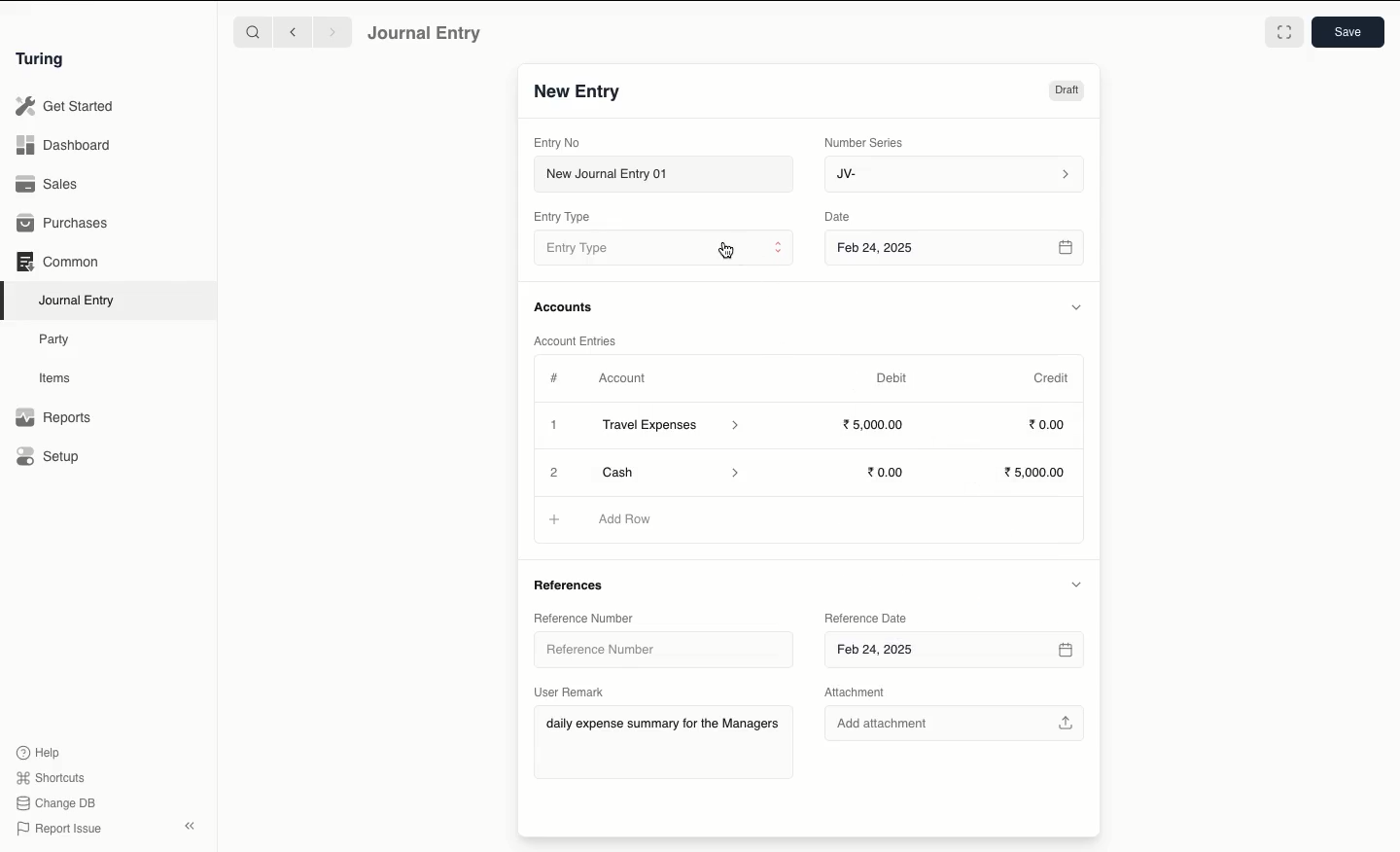  What do you see at coordinates (867, 143) in the screenshot?
I see `Number Series` at bounding box center [867, 143].